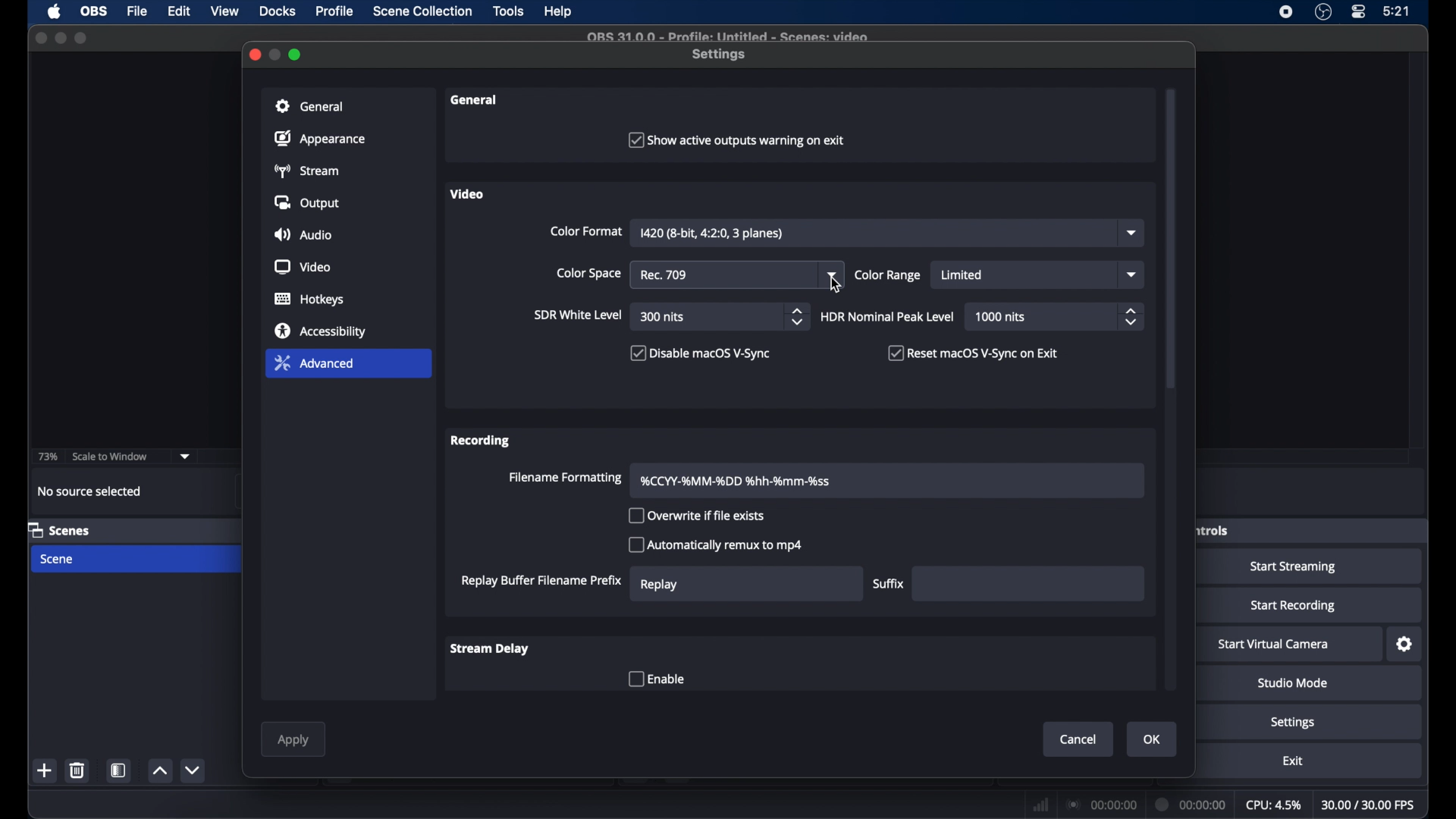 This screenshot has width=1456, height=819. I want to click on add, so click(45, 770).